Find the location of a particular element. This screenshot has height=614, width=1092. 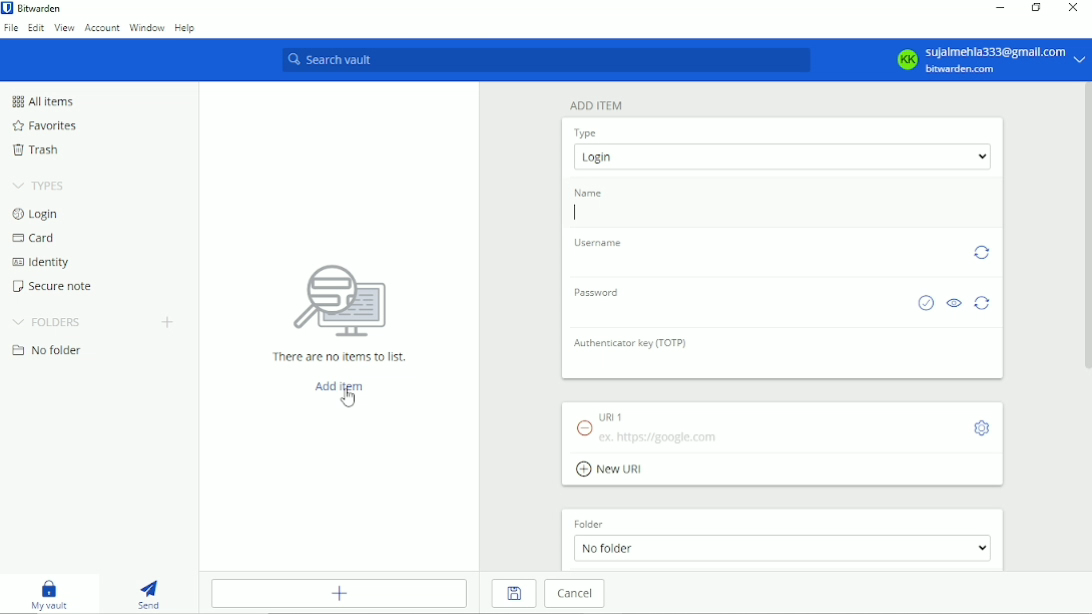

All items is located at coordinates (45, 101).